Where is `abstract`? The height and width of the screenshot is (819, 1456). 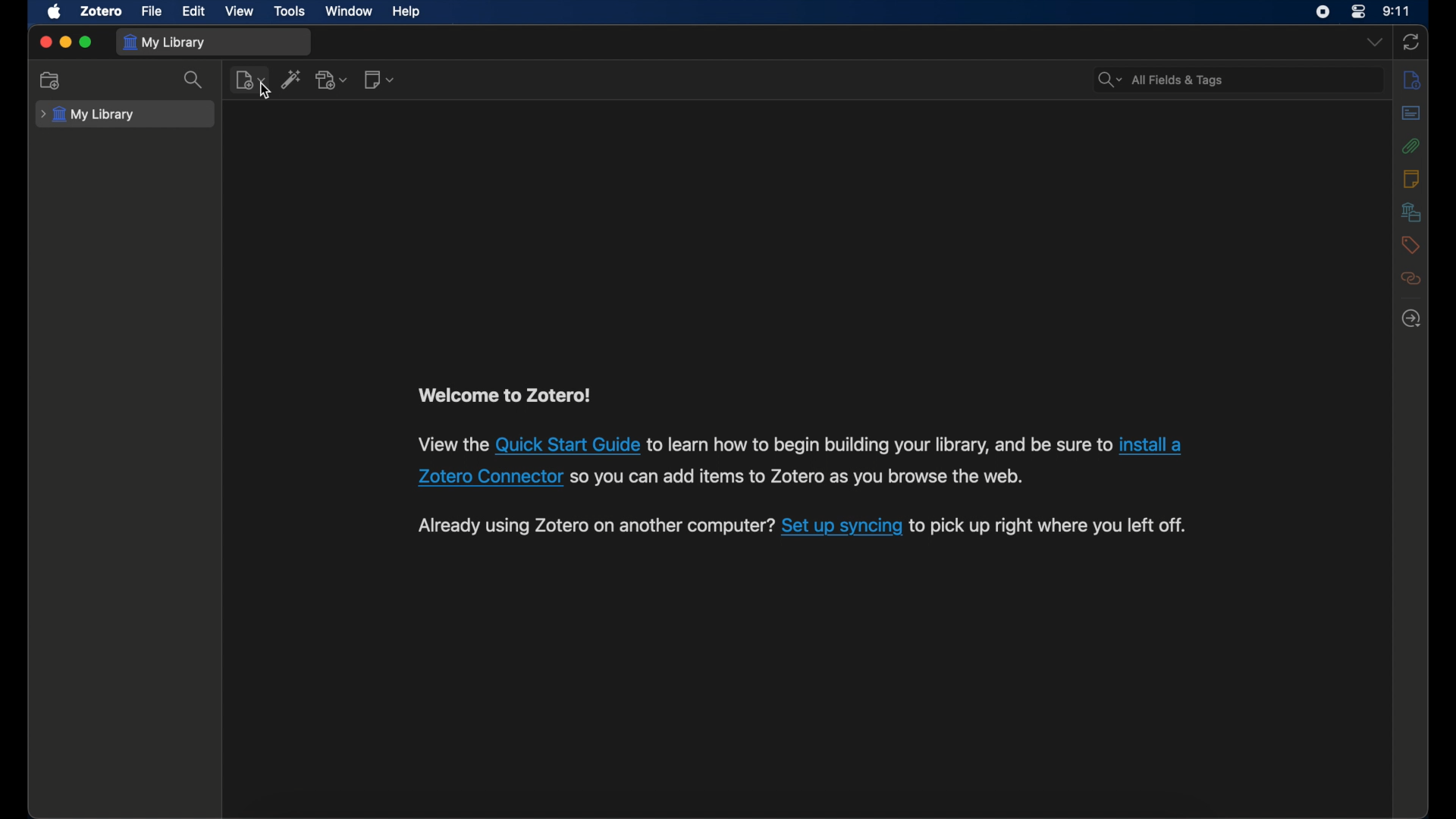 abstract is located at coordinates (1411, 113).